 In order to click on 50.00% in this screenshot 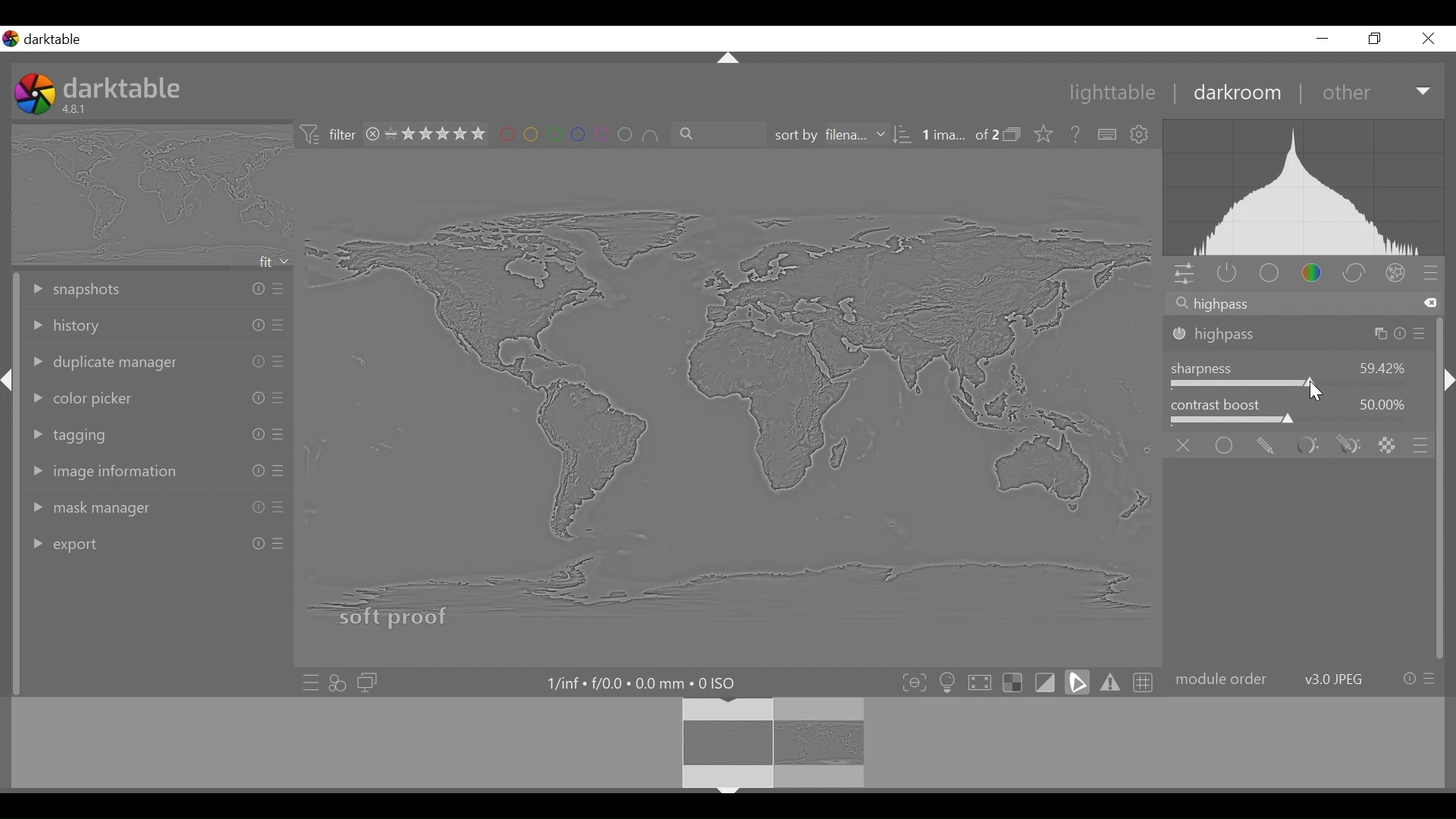, I will do `click(1382, 366)`.